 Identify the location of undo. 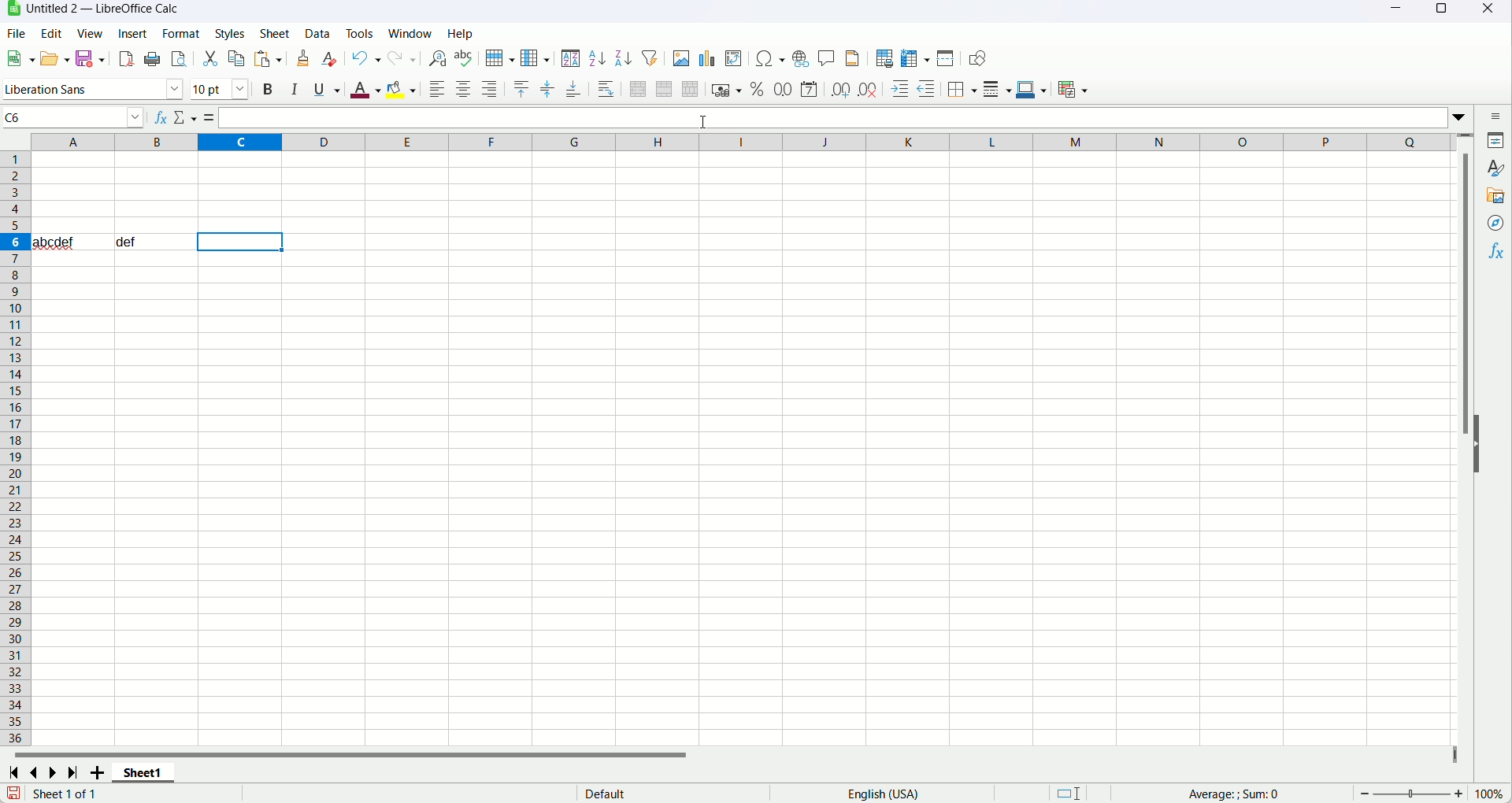
(366, 60).